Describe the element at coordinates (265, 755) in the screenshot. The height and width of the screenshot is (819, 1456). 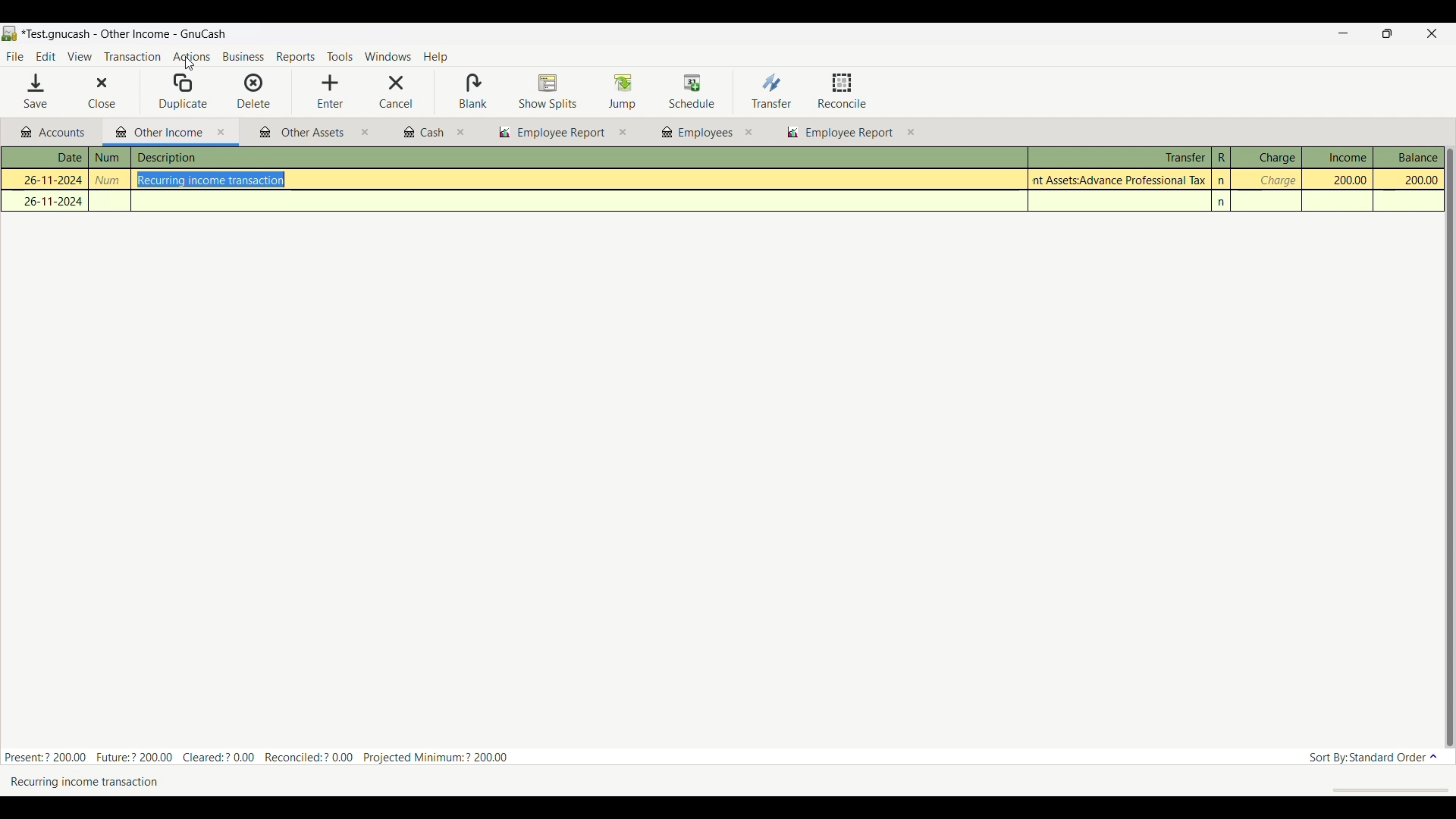
I see `Present:? 200.00 Future:? 200.00 Cleared:? 0.00 Reconciled:? 0.00 Projected Minimum: ? 200.00` at that location.